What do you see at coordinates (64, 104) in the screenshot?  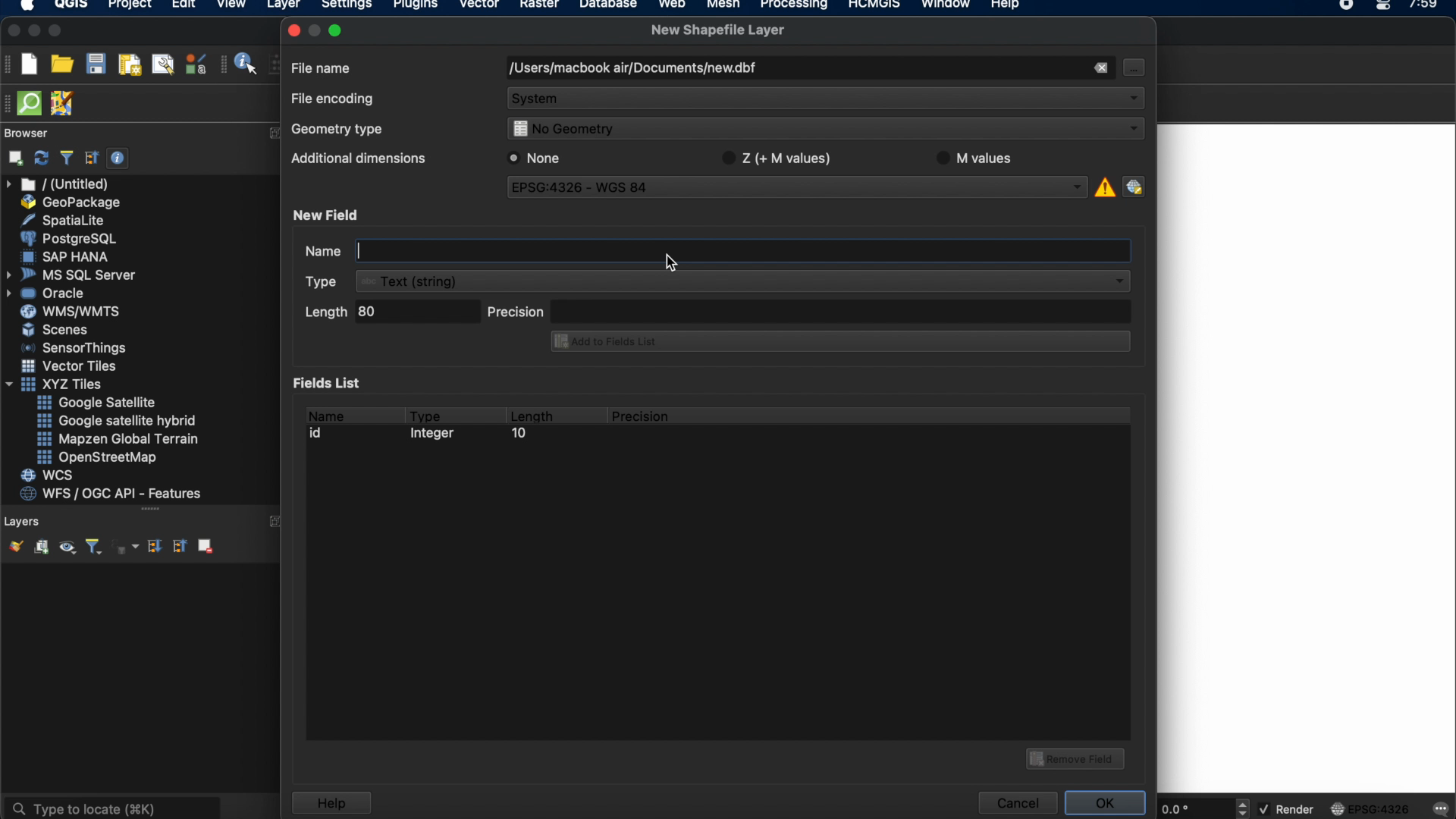 I see `JOSM remote` at bounding box center [64, 104].